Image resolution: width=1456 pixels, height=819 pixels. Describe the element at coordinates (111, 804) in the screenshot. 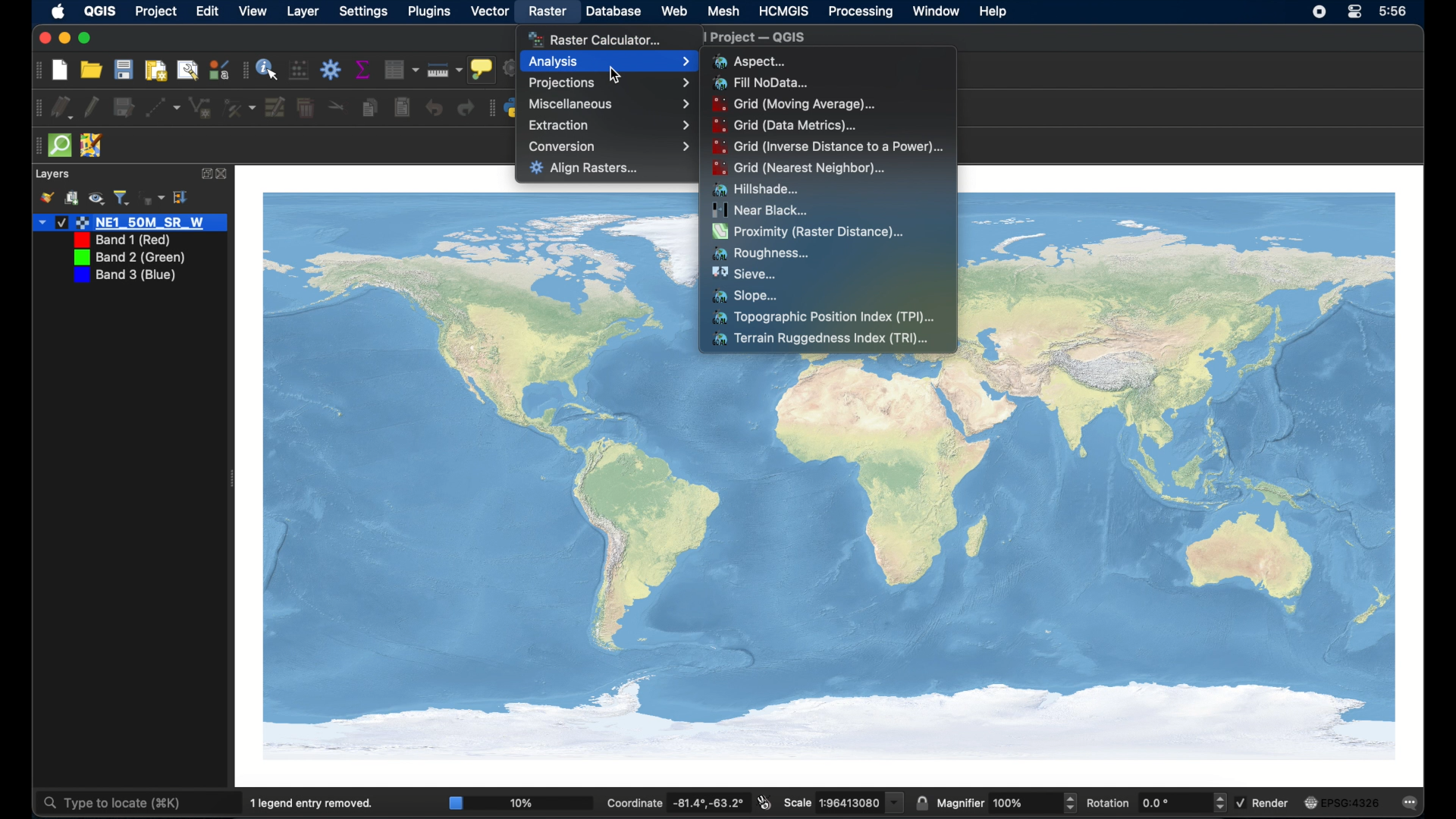

I see `type to locate ` at that location.